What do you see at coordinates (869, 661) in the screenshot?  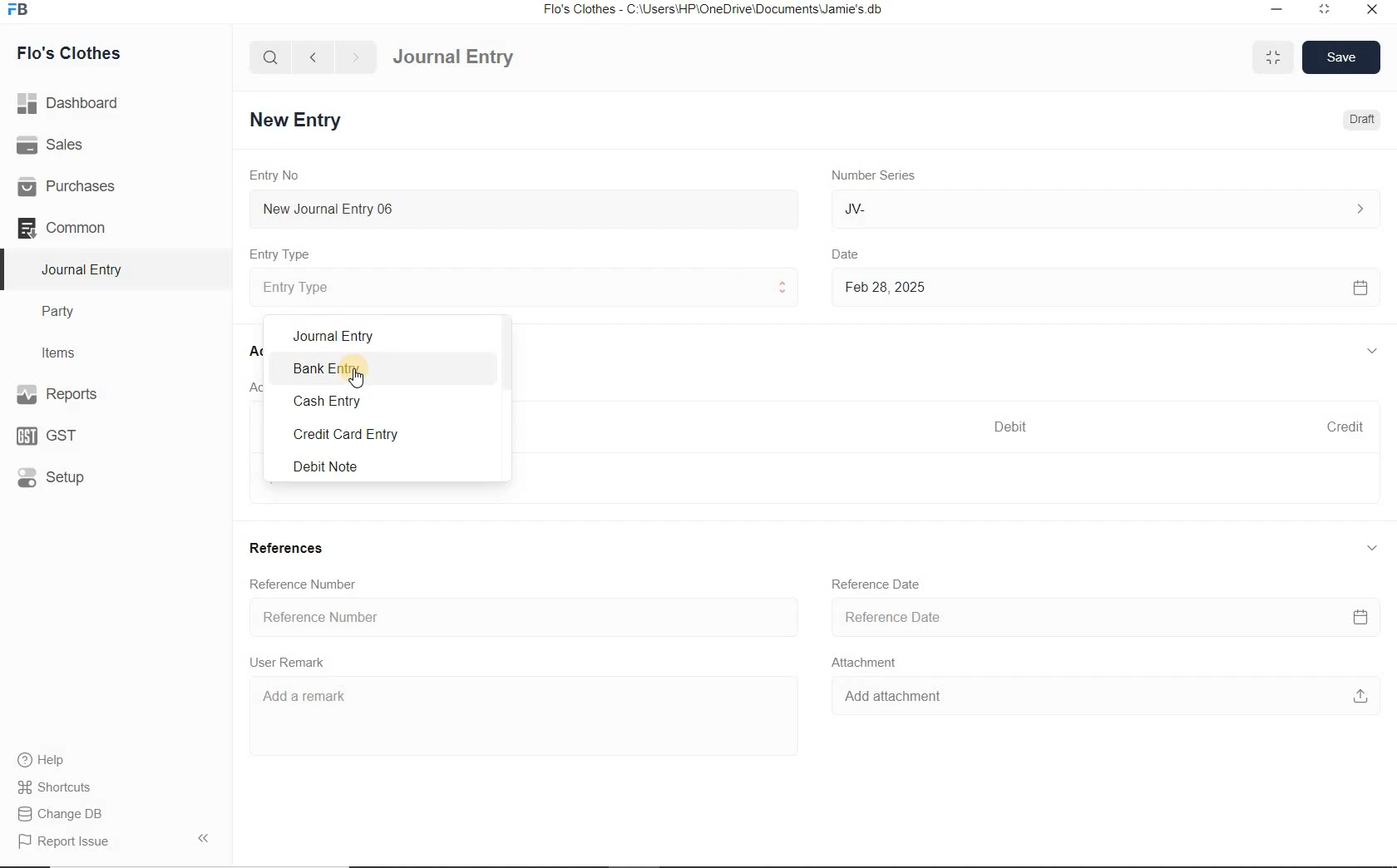 I see `Attachment` at bounding box center [869, 661].